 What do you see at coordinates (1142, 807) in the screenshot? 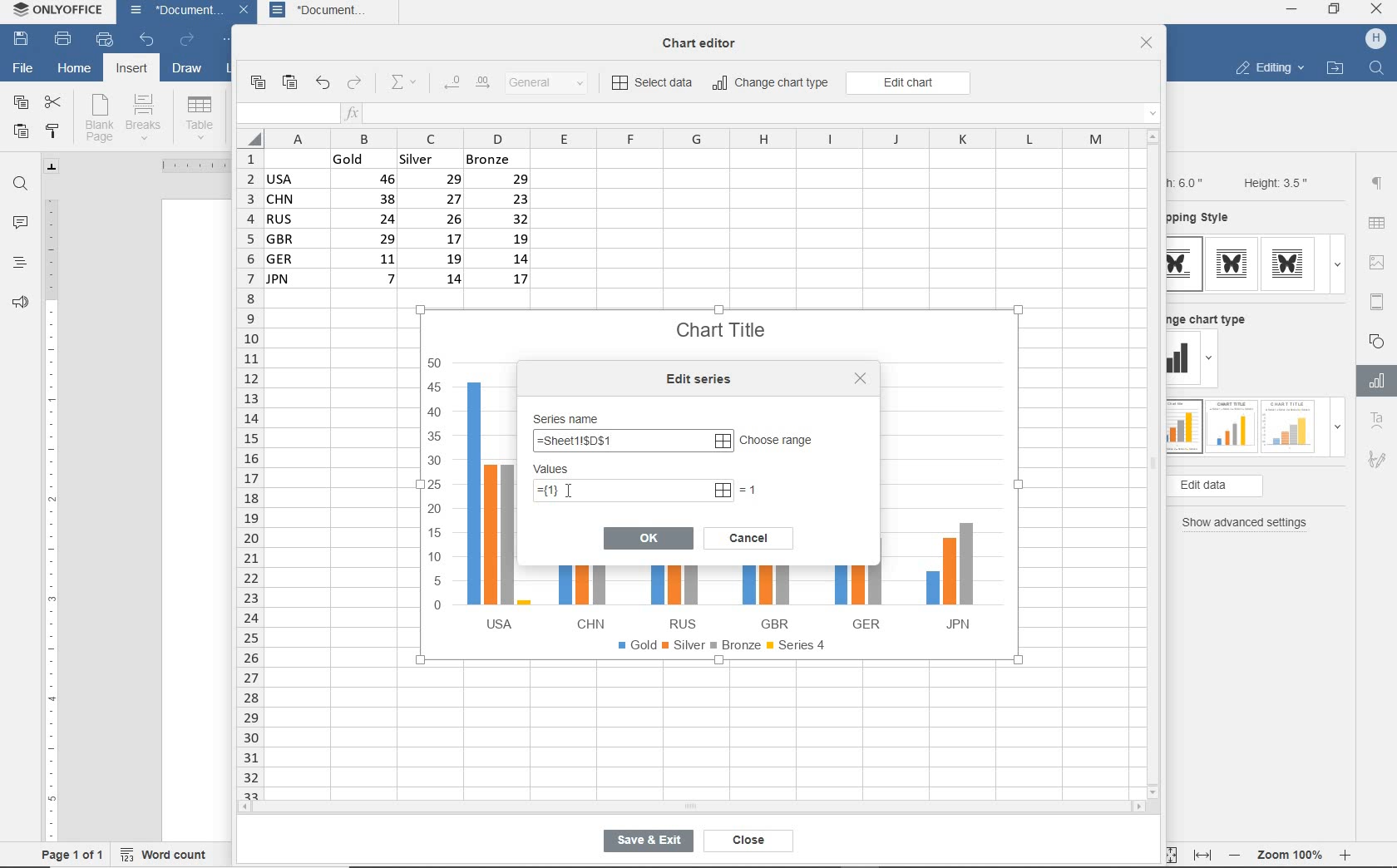
I see `scroll right` at bounding box center [1142, 807].